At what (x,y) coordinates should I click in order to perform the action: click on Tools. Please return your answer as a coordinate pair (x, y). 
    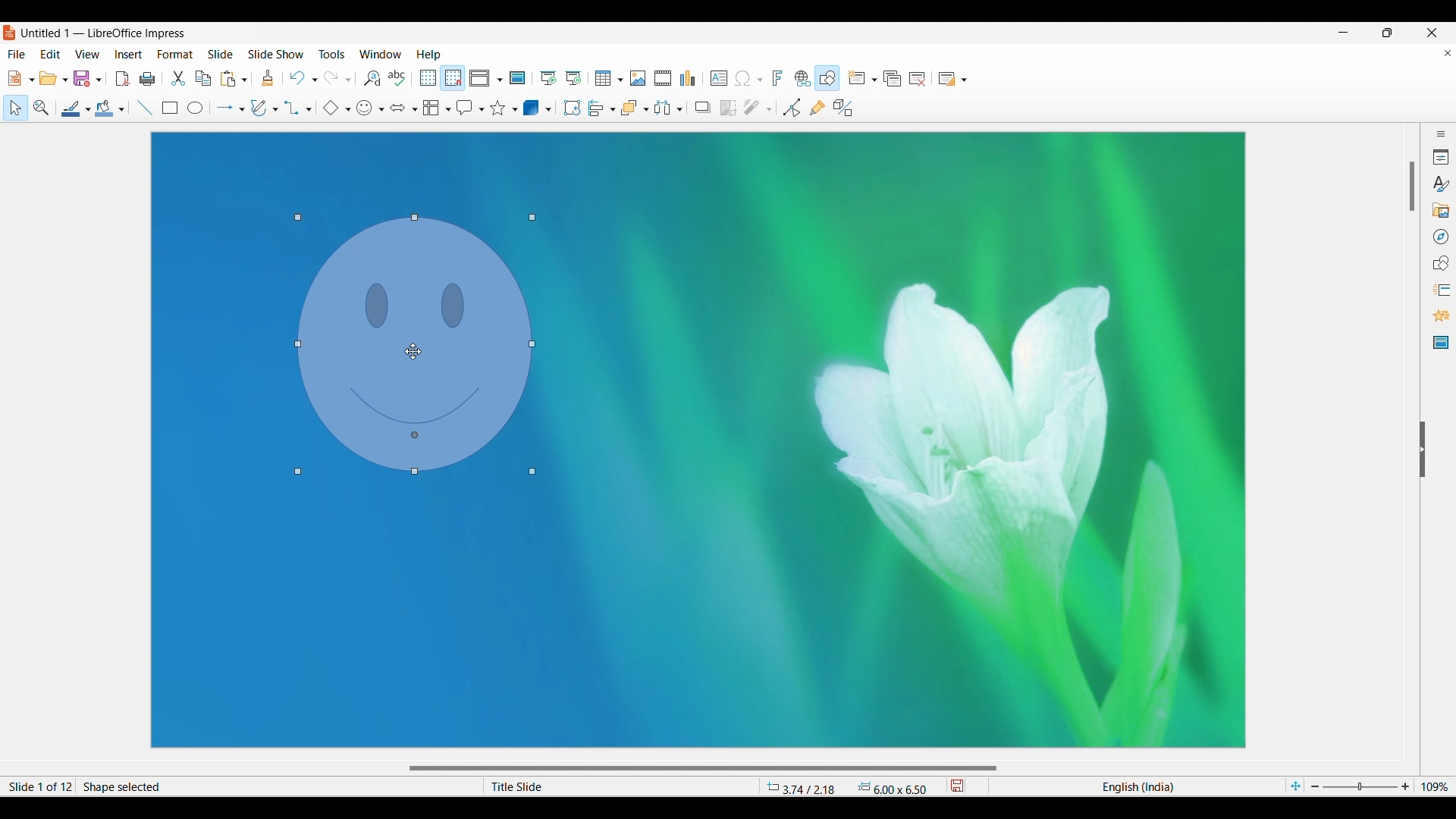
    Looking at the image, I should click on (332, 53).